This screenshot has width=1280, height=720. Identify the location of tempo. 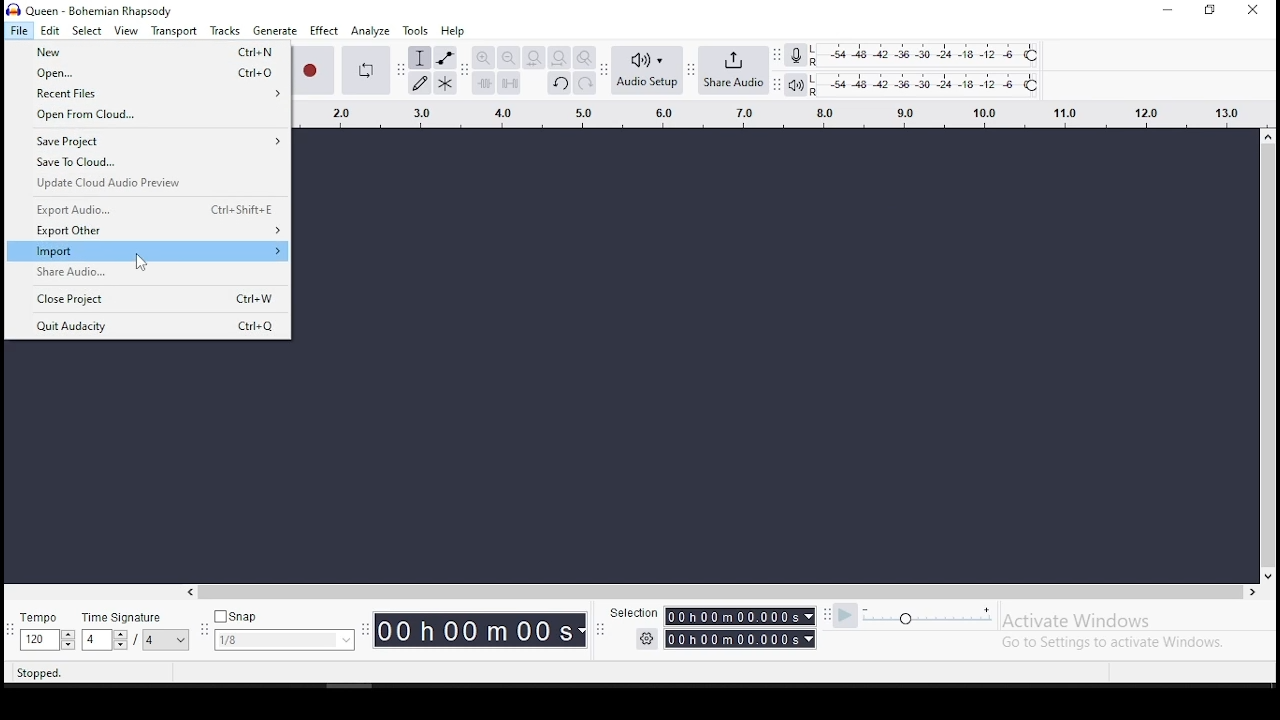
(47, 632).